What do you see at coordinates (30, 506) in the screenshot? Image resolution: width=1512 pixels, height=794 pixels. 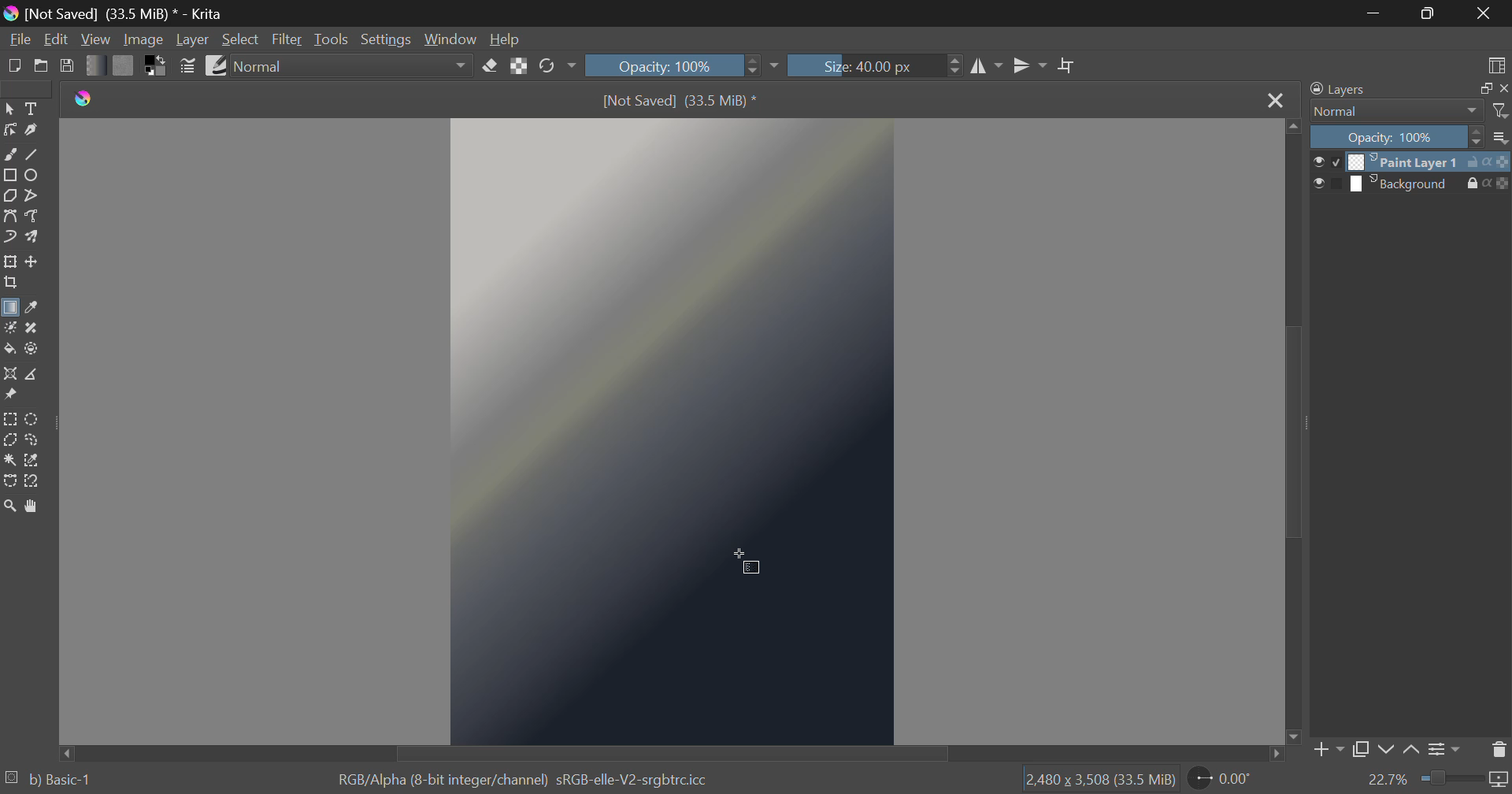 I see `Pan` at bounding box center [30, 506].